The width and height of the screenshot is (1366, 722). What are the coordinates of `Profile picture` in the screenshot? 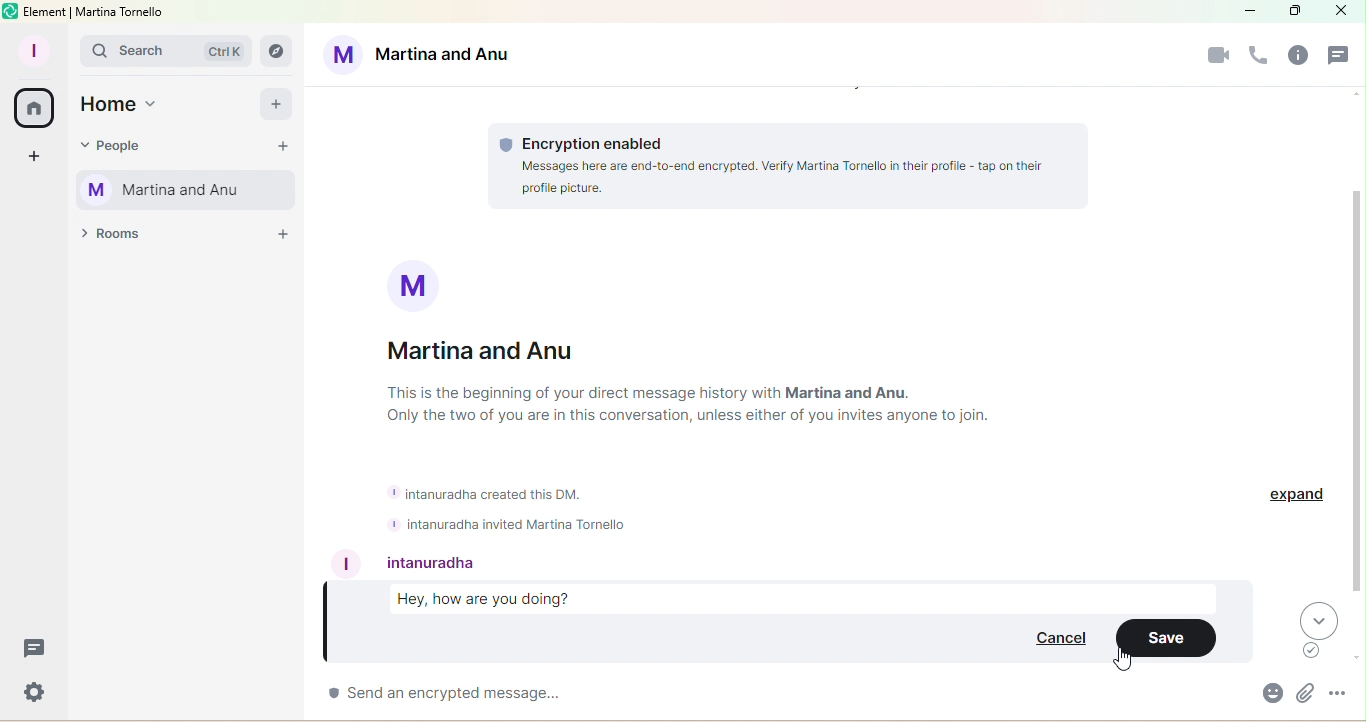 It's located at (417, 284).